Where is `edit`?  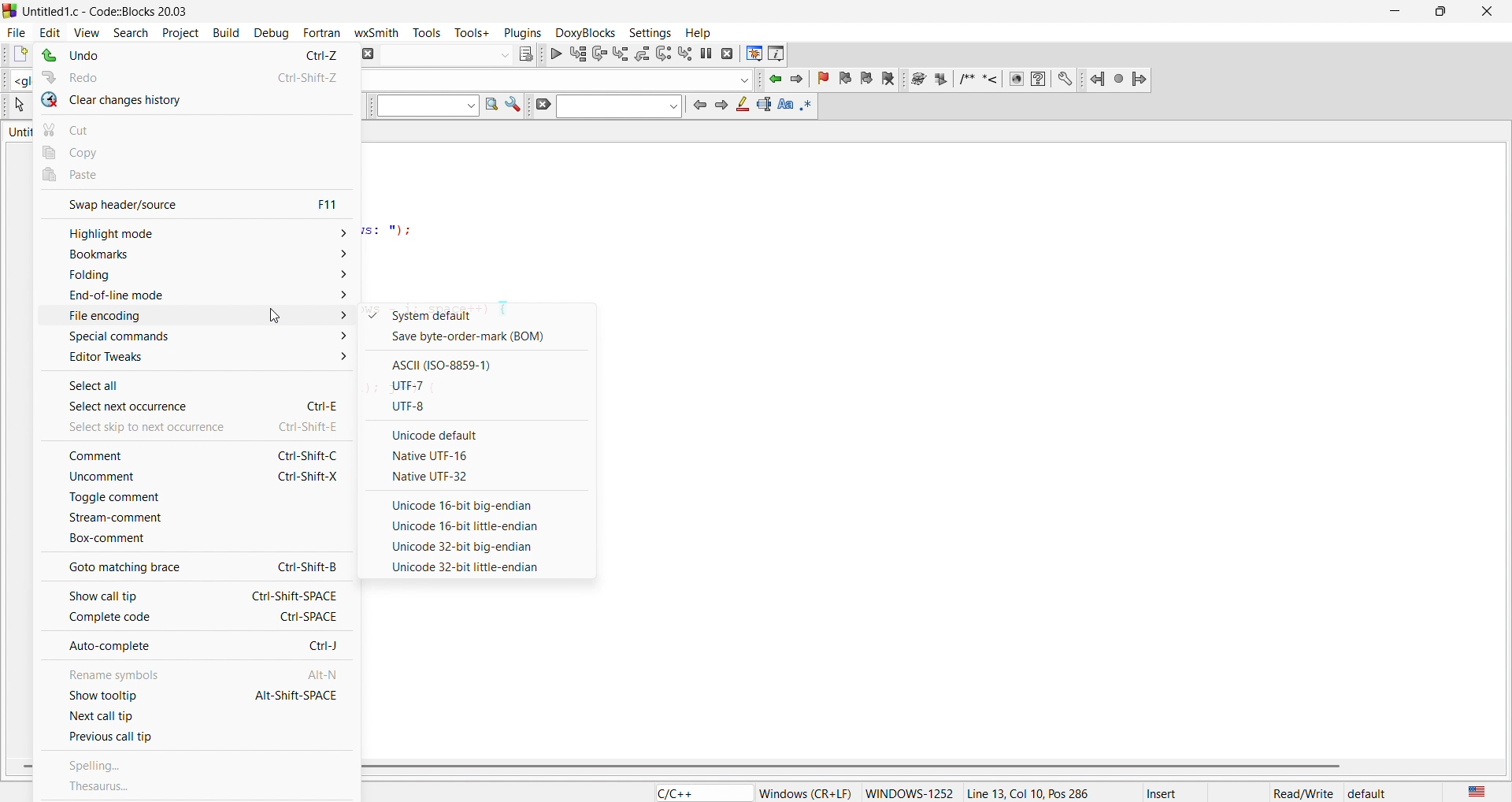 edit is located at coordinates (50, 31).